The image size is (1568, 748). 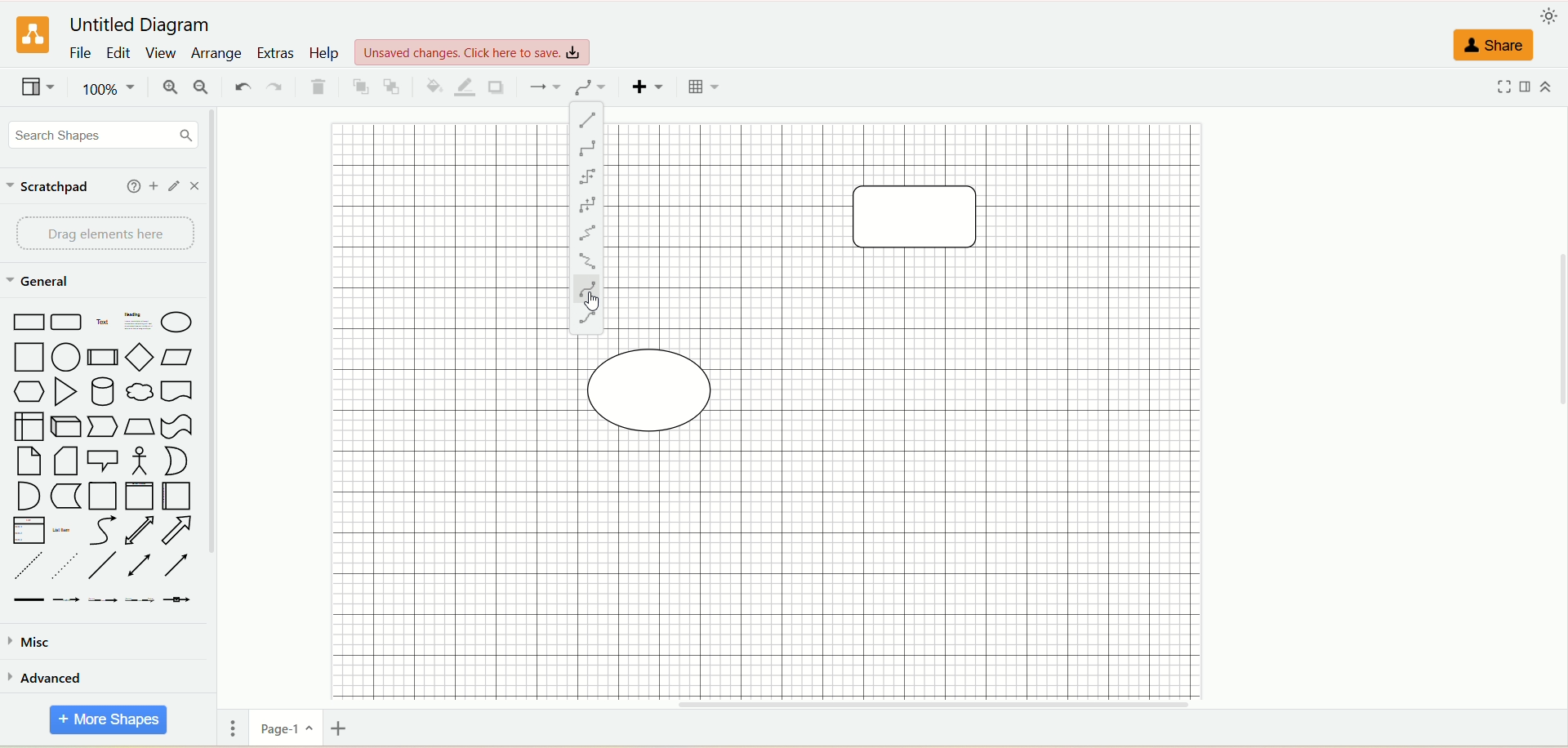 What do you see at coordinates (106, 720) in the screenshot?
I see `more shapes` at bounding box center [106, 720].